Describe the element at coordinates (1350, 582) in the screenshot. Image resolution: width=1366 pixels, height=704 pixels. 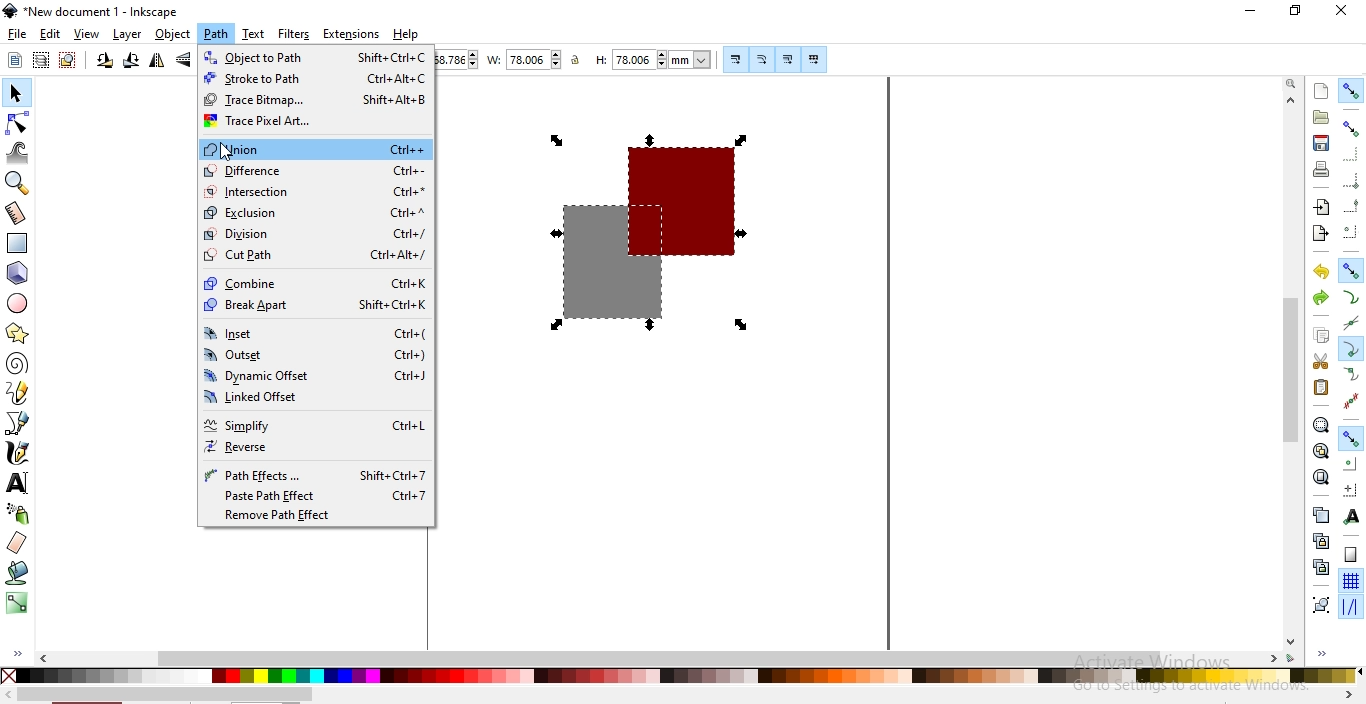
I see `snap to grids` at that location.